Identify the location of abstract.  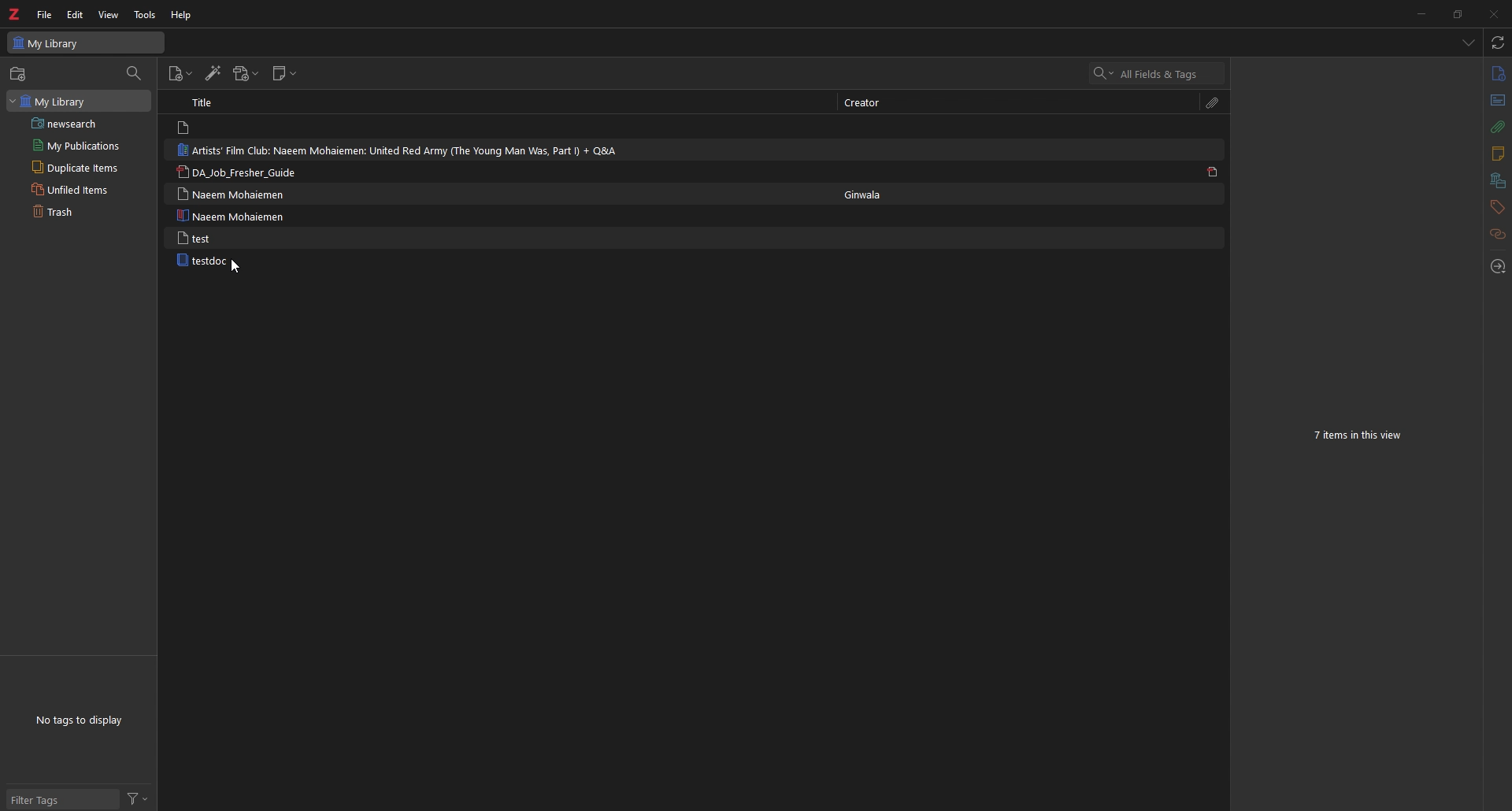
(1496, 99).